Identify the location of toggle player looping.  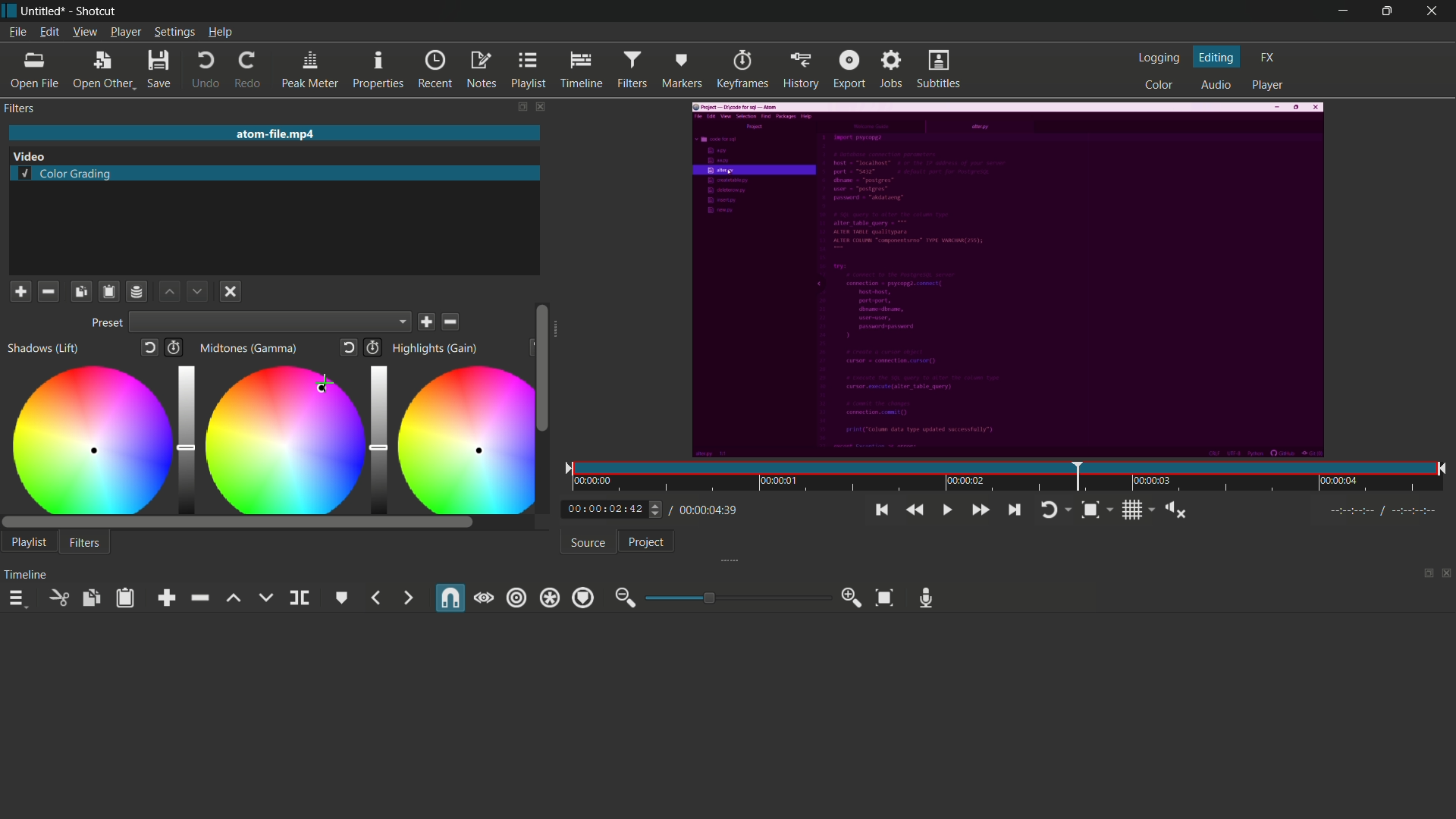
(1053, 508).